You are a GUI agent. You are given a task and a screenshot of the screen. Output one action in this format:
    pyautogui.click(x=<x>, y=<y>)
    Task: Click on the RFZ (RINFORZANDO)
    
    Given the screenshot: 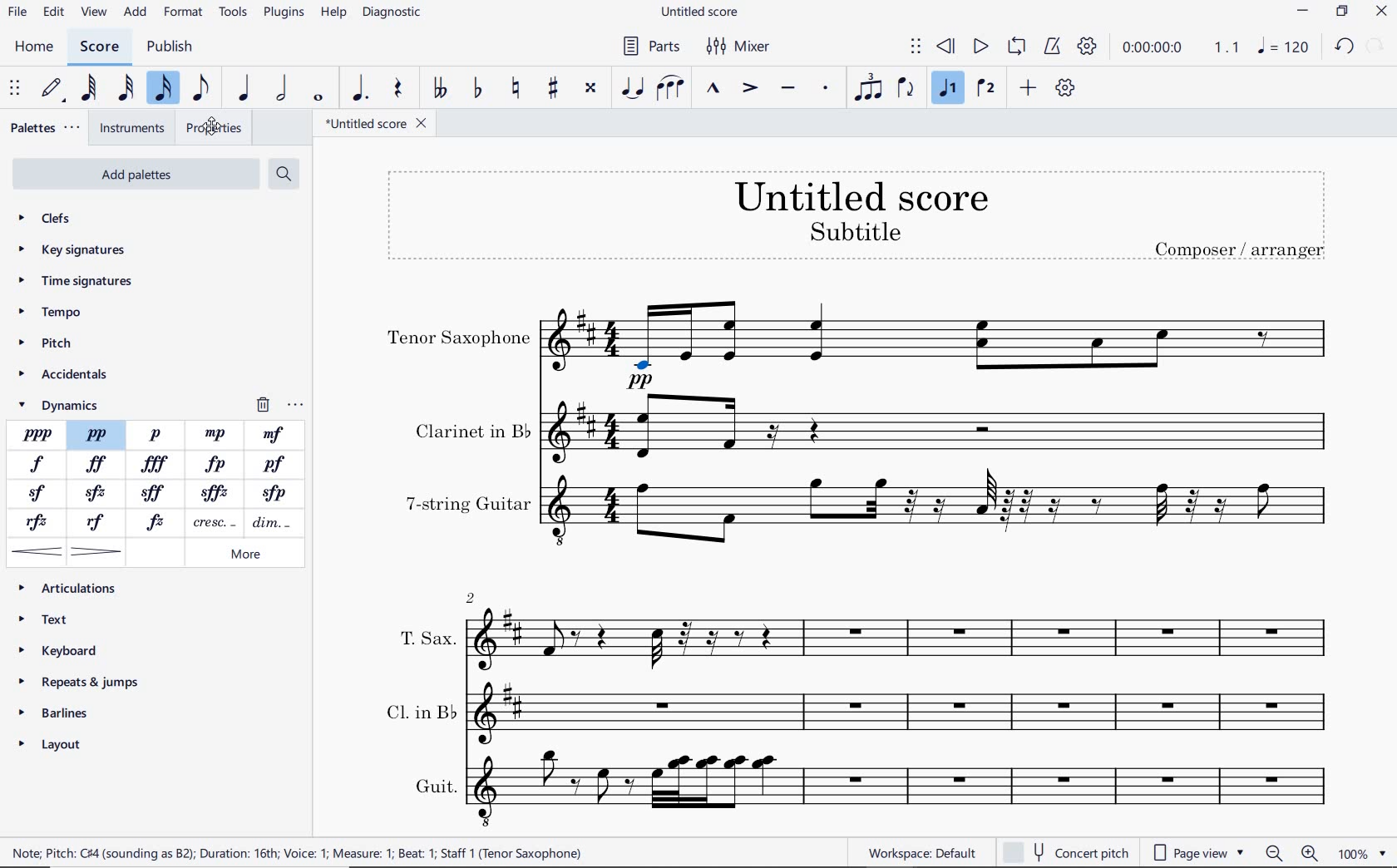 What is the action you would take?
    pyautogui.click(x=41, y=523)
    